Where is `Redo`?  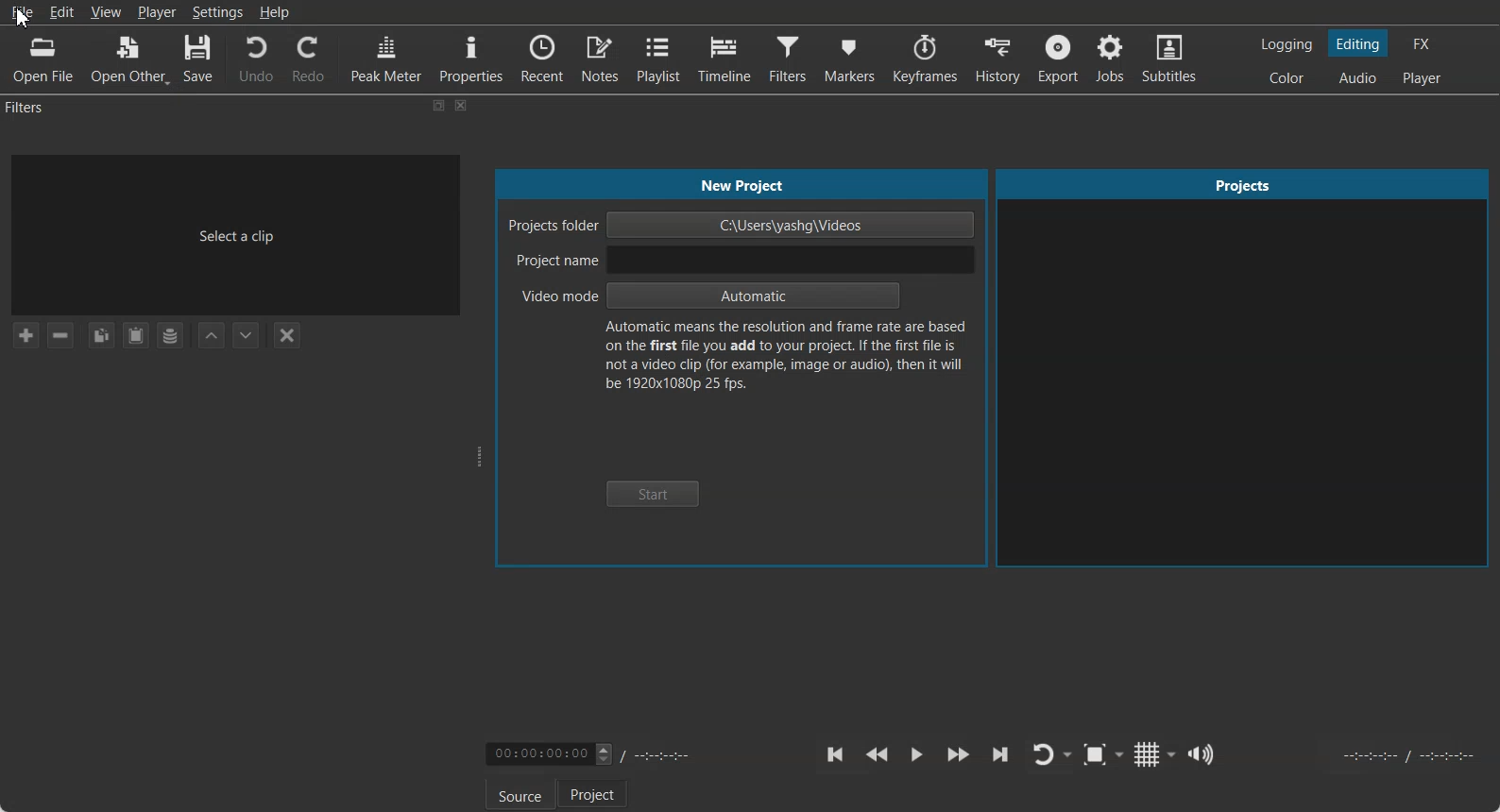 Redo is located at coordinates (310, 59).